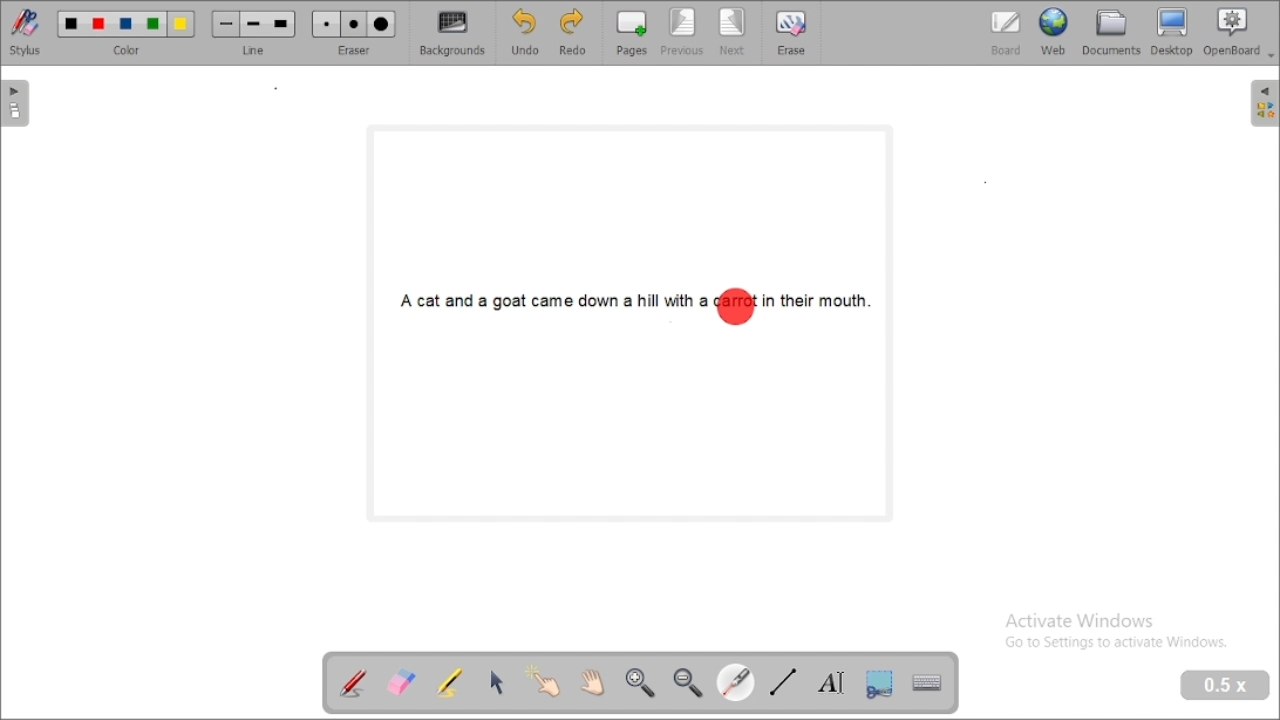  Describe the element at coordinates (1272, 56) in the screenshot. I see `Dropdown` at that location.